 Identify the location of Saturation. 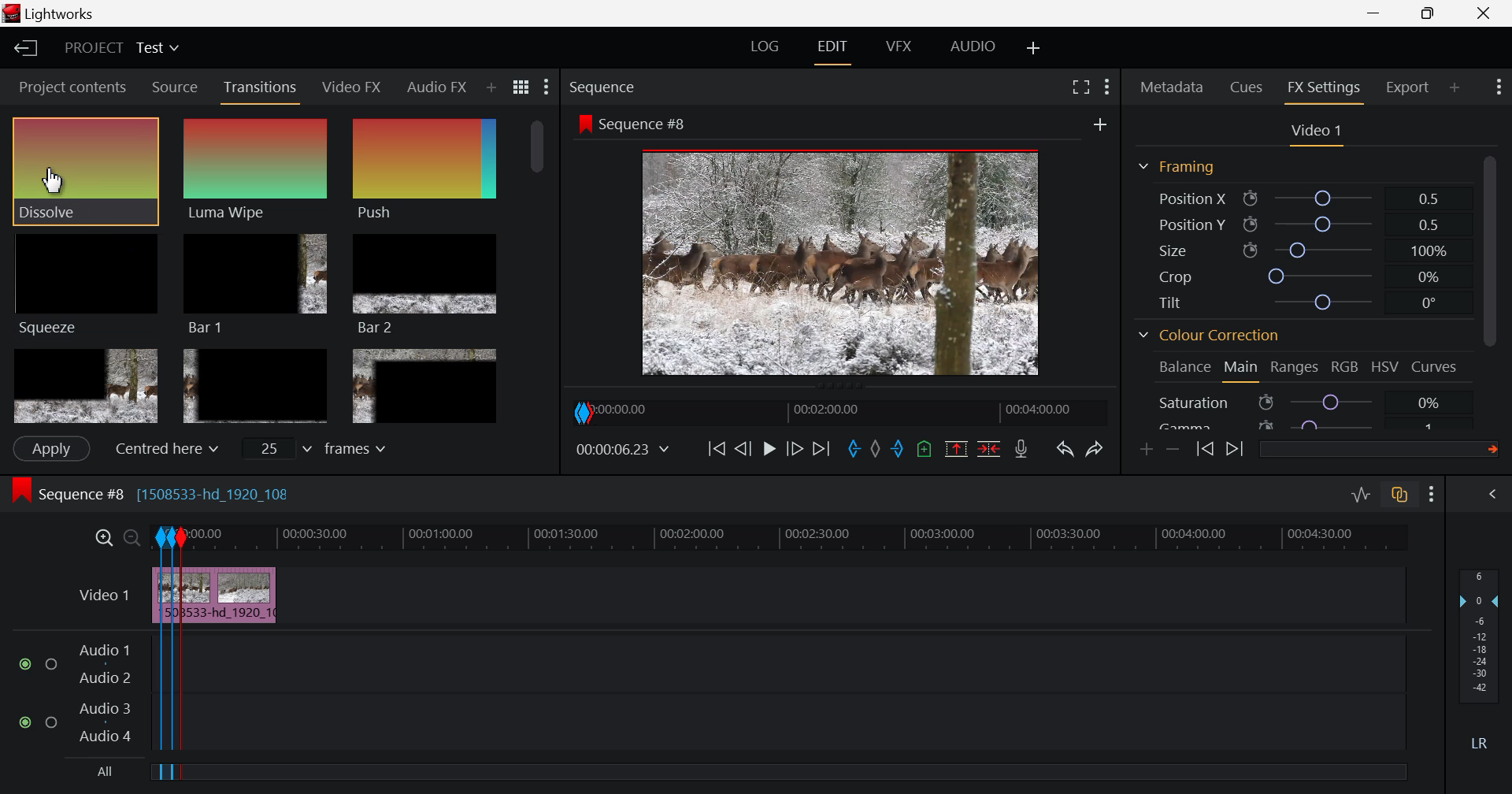
(1303, 402).